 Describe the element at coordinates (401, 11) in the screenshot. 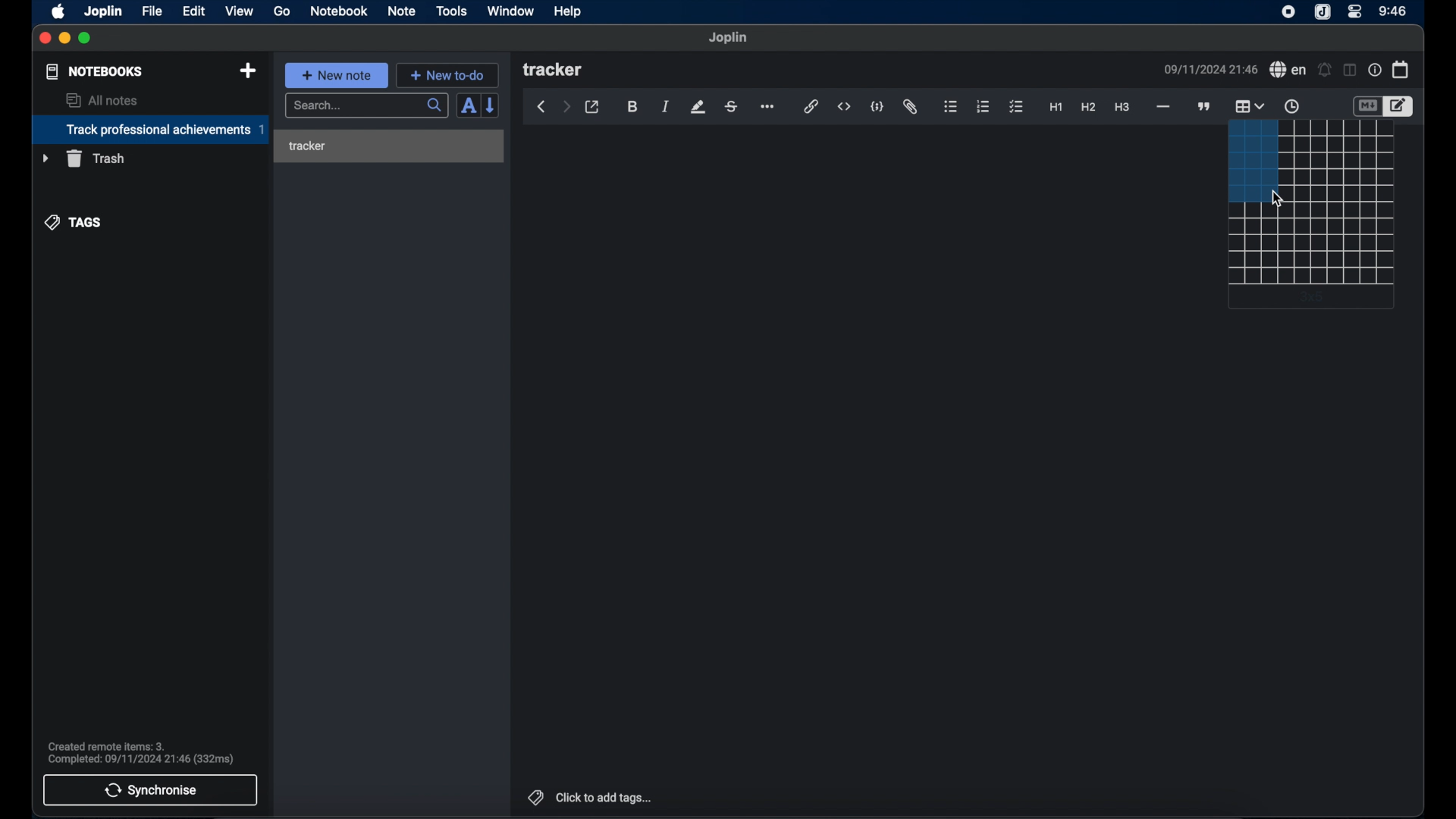

I see `note` at that location.